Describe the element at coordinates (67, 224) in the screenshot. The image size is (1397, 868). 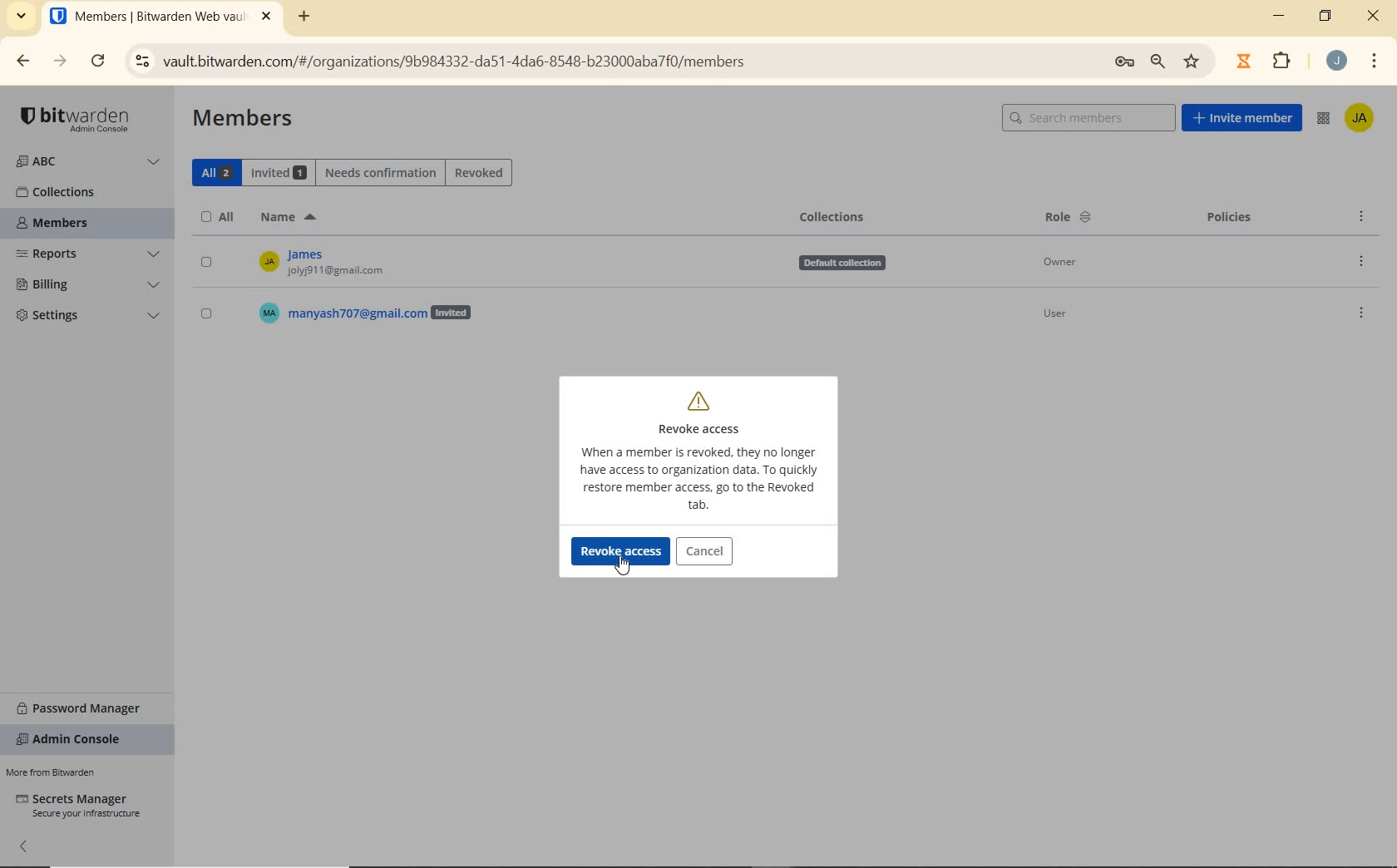
I see `MEMBERS` at that location.